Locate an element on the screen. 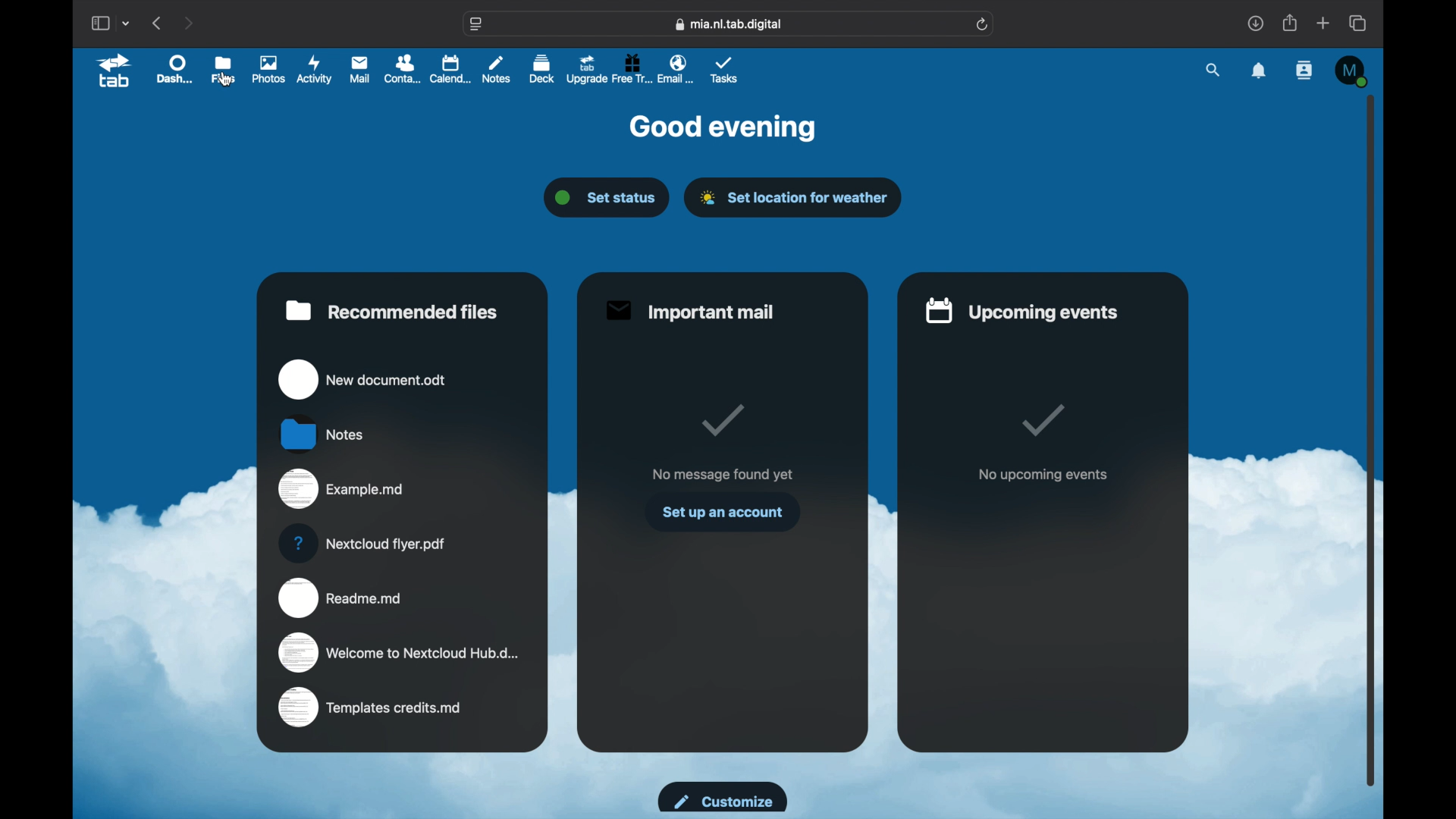 The height and width of the screenshot is (819, 1456). dashboard is located at coordinates (174, 70).